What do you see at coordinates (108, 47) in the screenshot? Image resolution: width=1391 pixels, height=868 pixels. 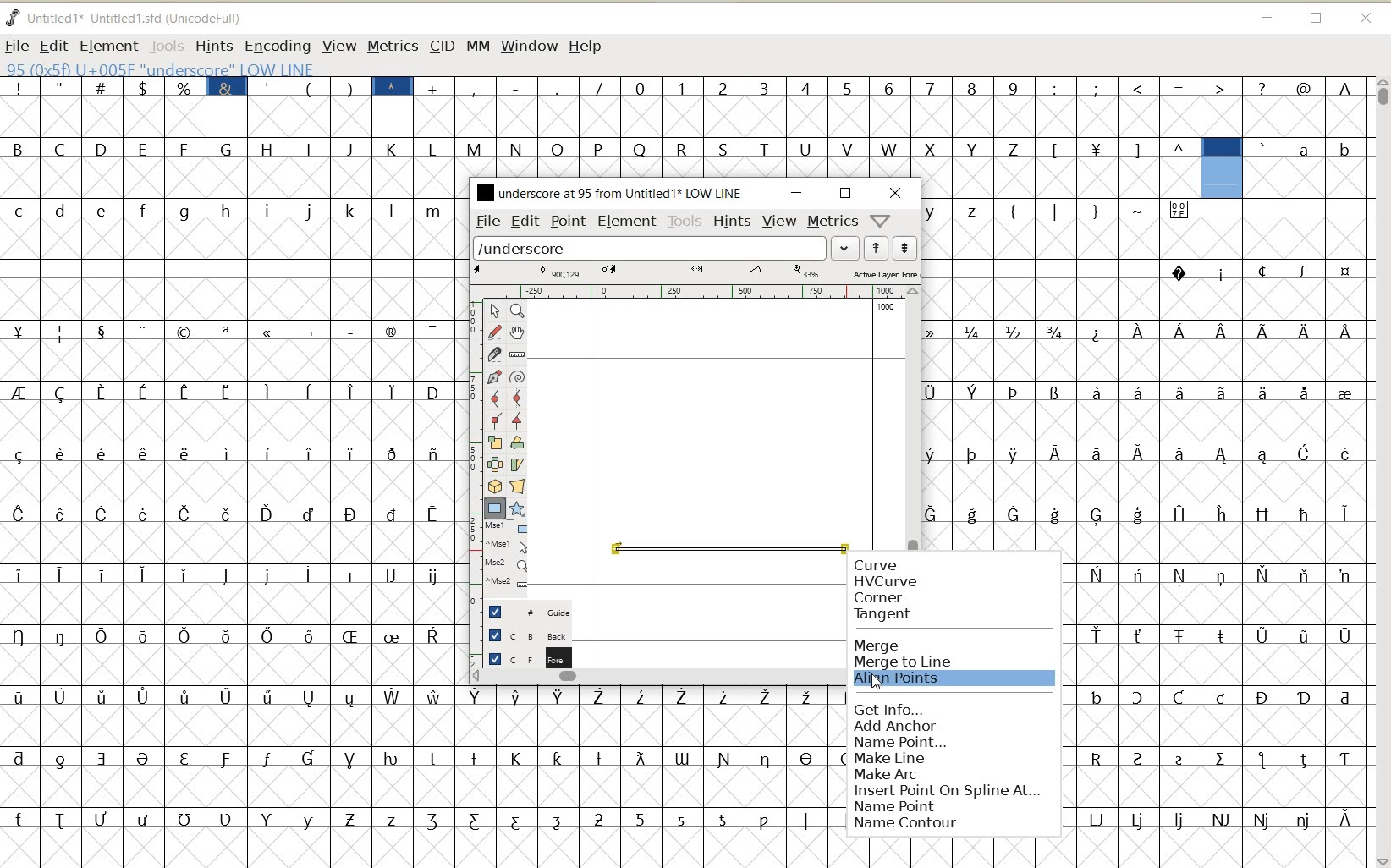 I see `ELEMENT` at bounding box center [108, 47].